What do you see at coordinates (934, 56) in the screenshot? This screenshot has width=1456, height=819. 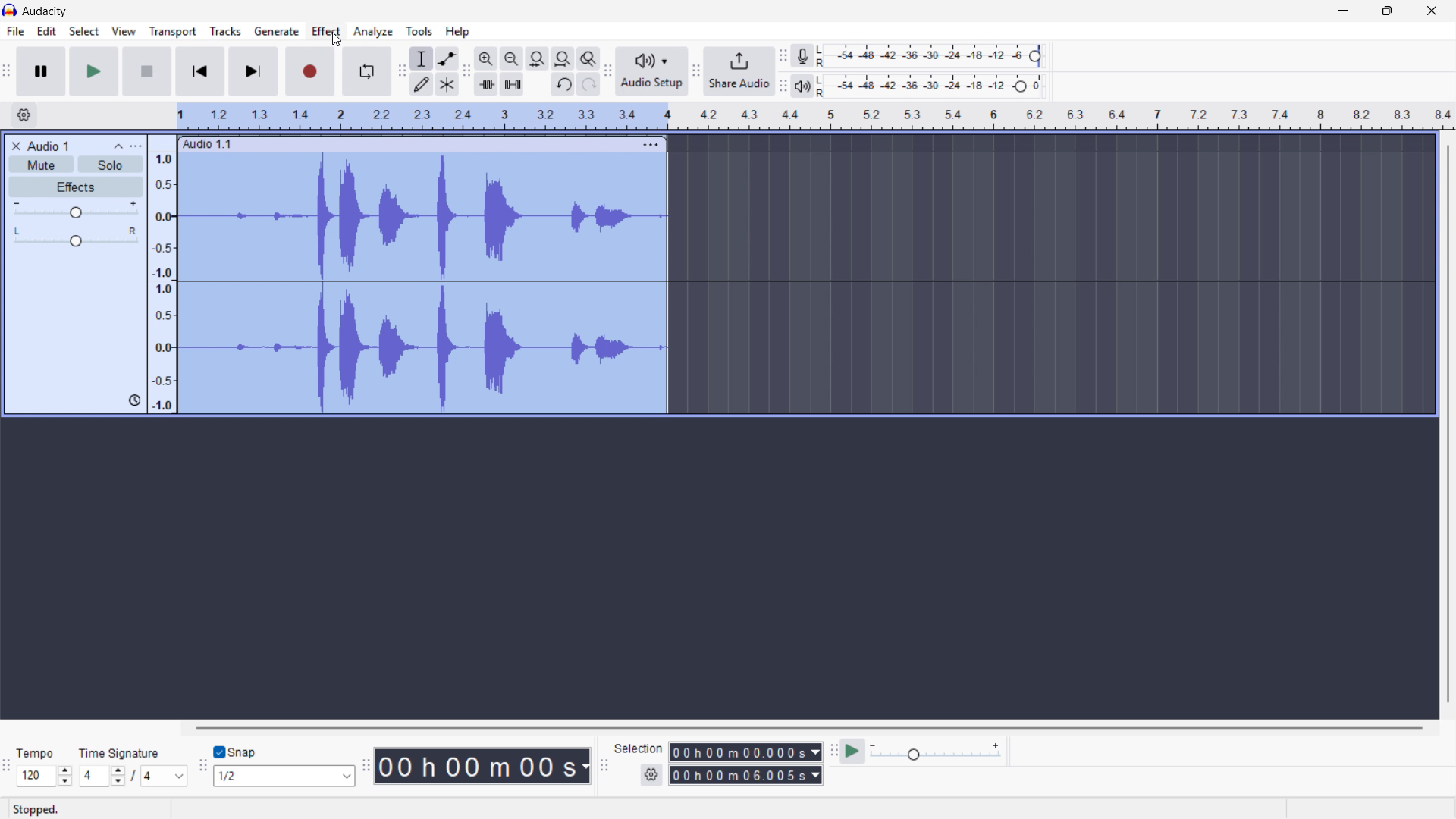 I see `Recording level` at bounding box center [934, 56].